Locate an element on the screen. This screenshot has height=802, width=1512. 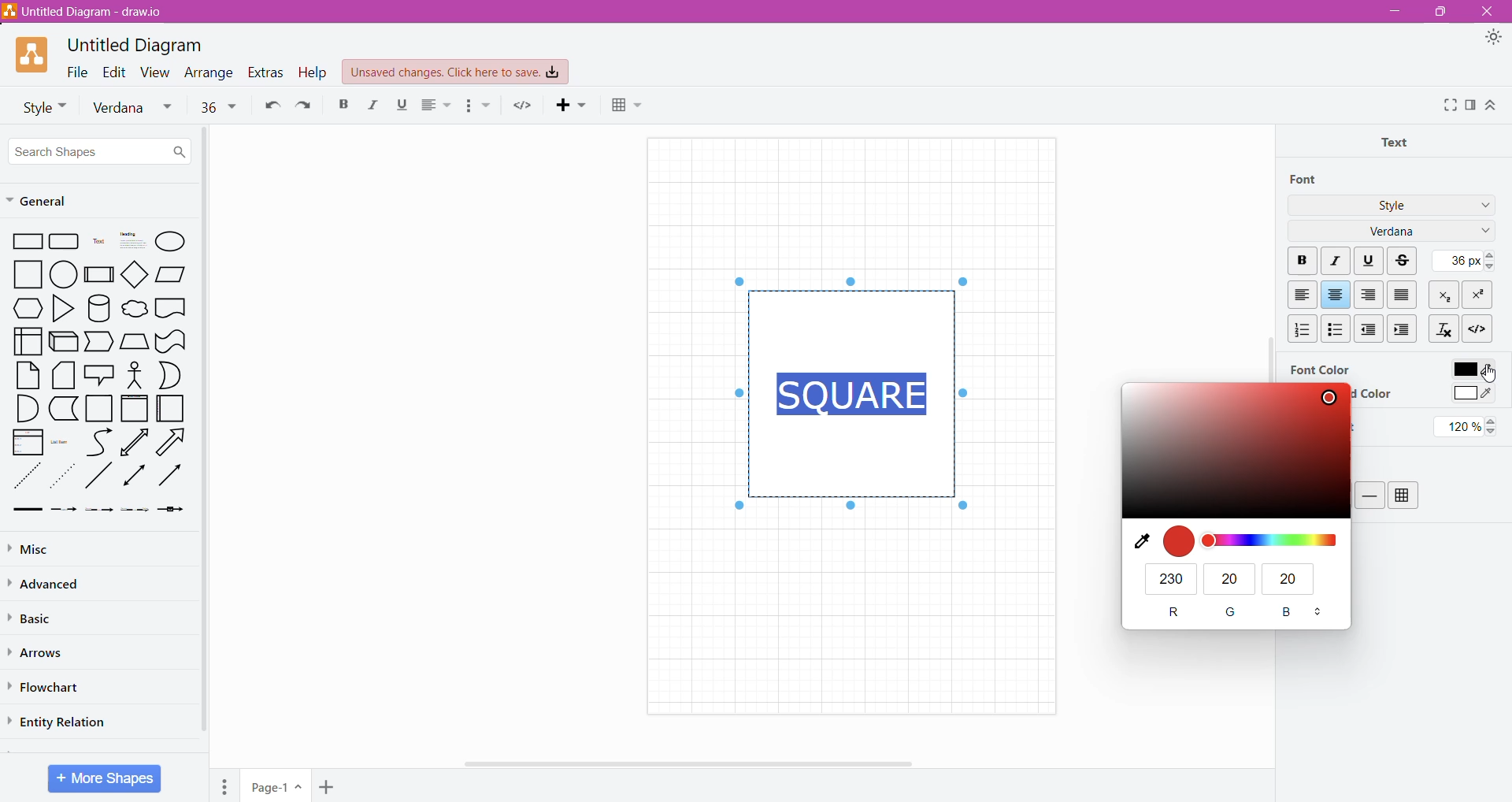
Click to select Background color is located at coordinates (1472, 395).